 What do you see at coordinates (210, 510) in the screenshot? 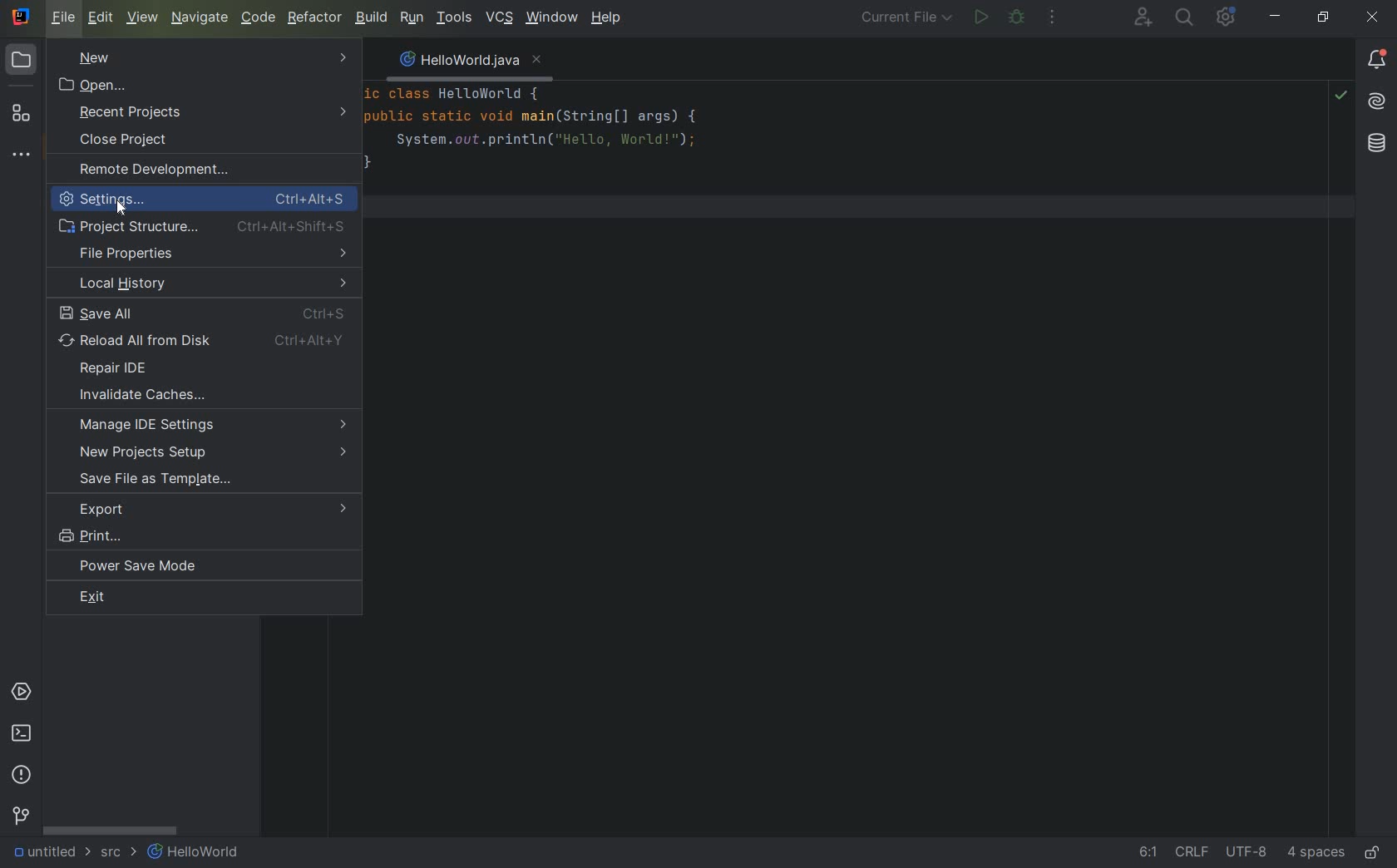
I see `export` at bounding box center [210, 510].